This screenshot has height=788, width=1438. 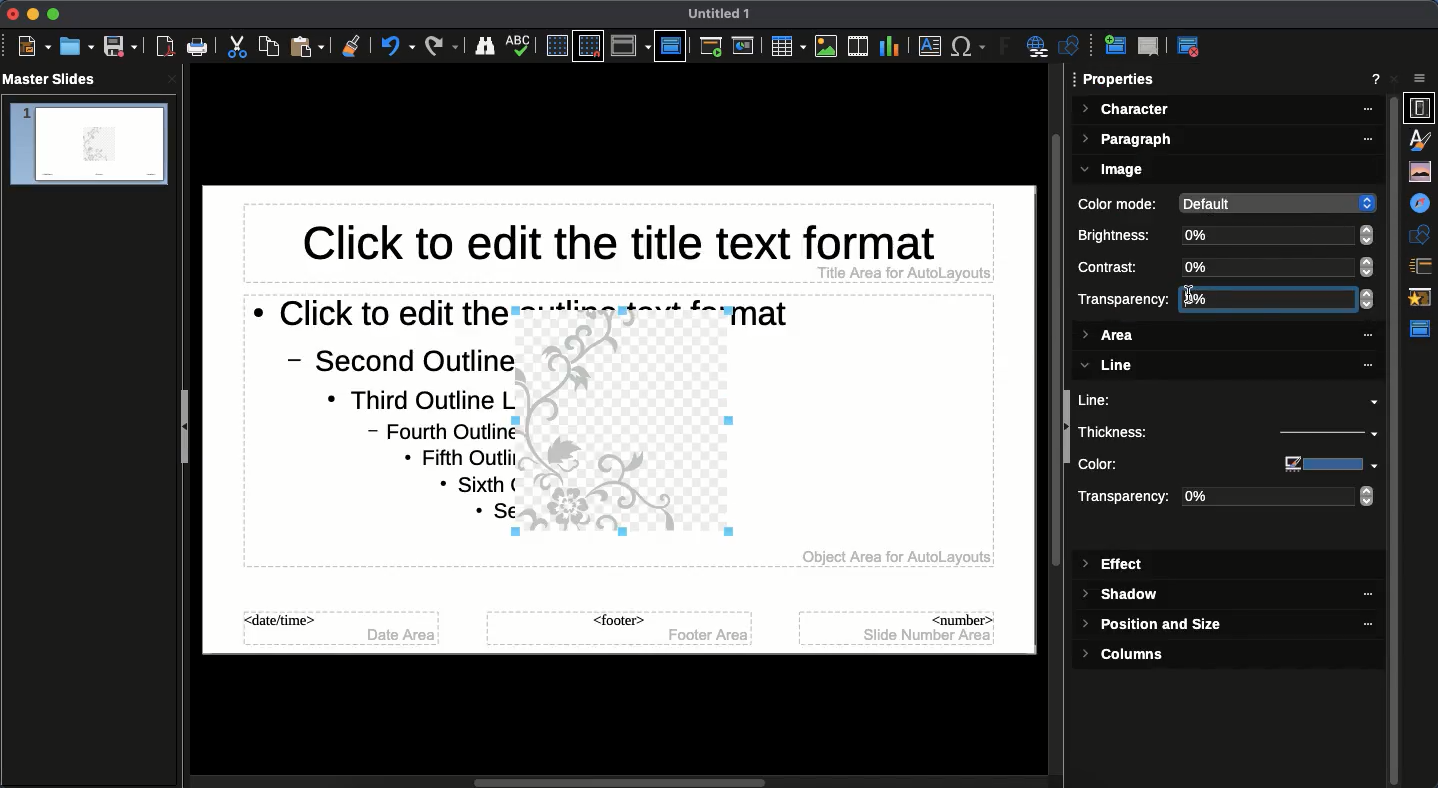 What do you see at coordinates (1421, 79) in the screenshot?
I see `options` at bounding box center [1421, 79].